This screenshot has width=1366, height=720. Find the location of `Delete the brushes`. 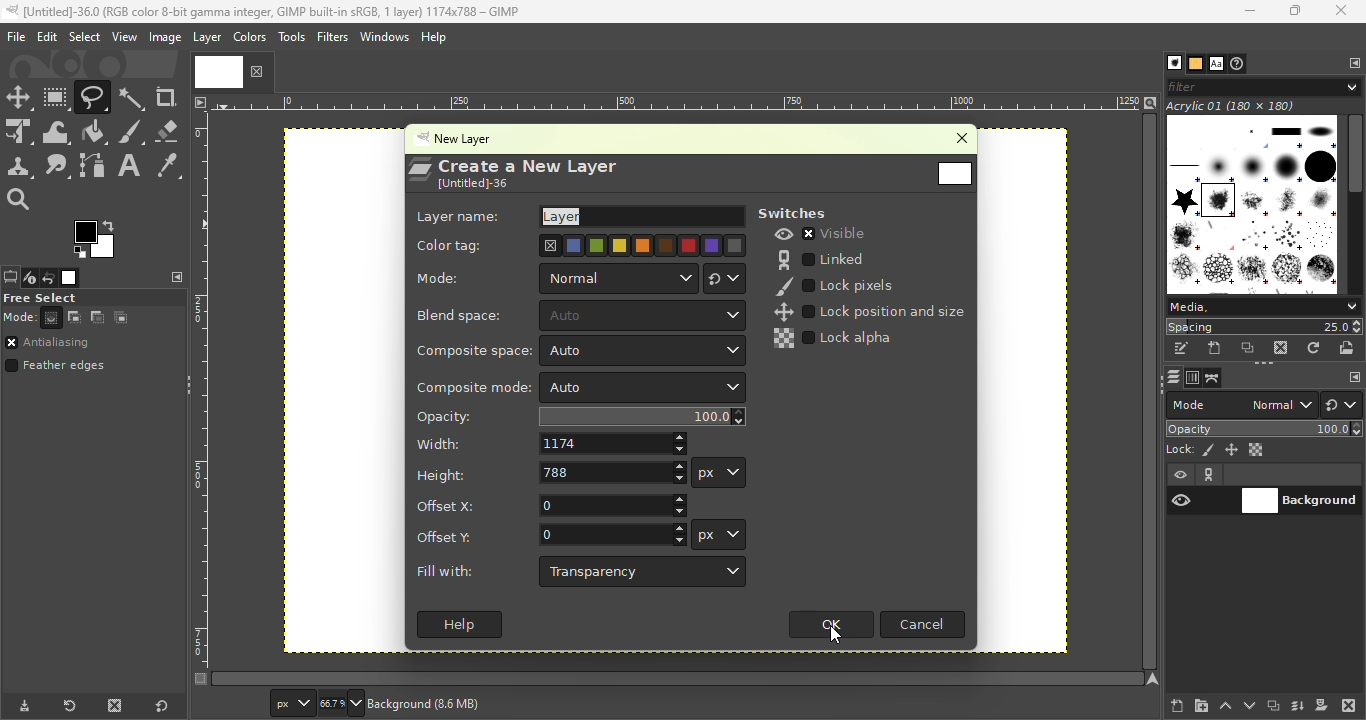

Delete the brushes is located at coordinates (1283, 348).